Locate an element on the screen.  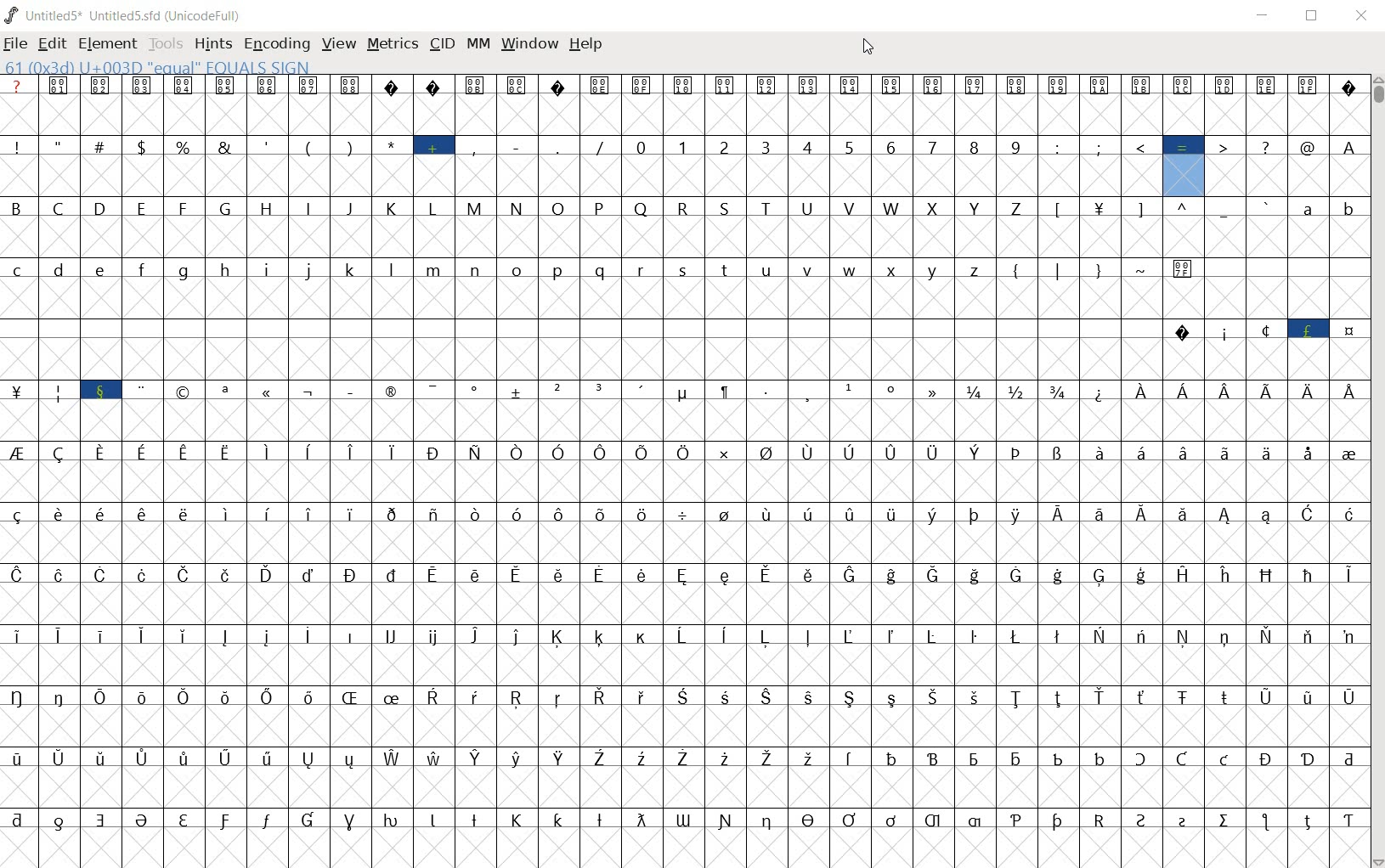
cid is located at coordinates (441, 43).